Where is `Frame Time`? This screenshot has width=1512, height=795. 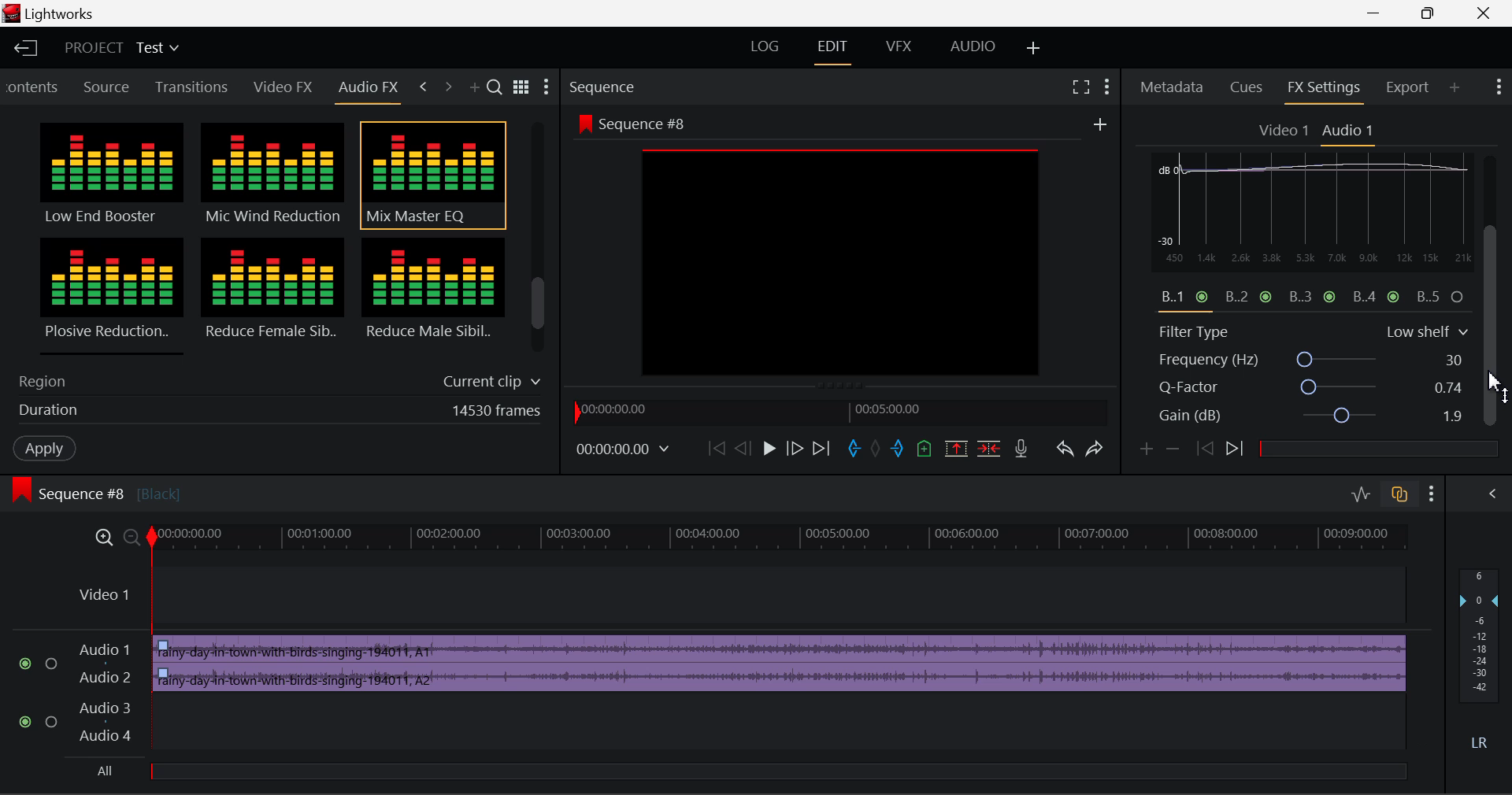
Frame Time is located at coordinates (621, 449).